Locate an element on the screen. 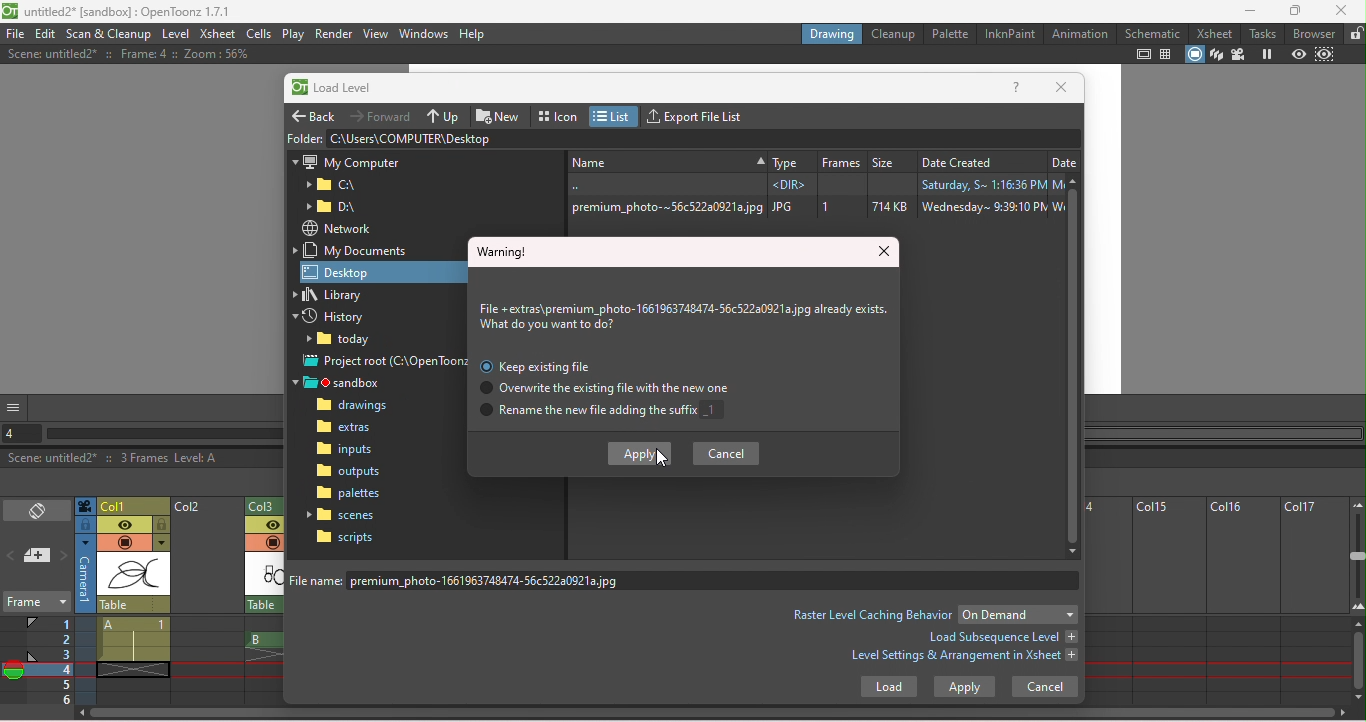 The height and width of the screenshot is (722, 1366). Column 3 is located at coordinates (269, 504).